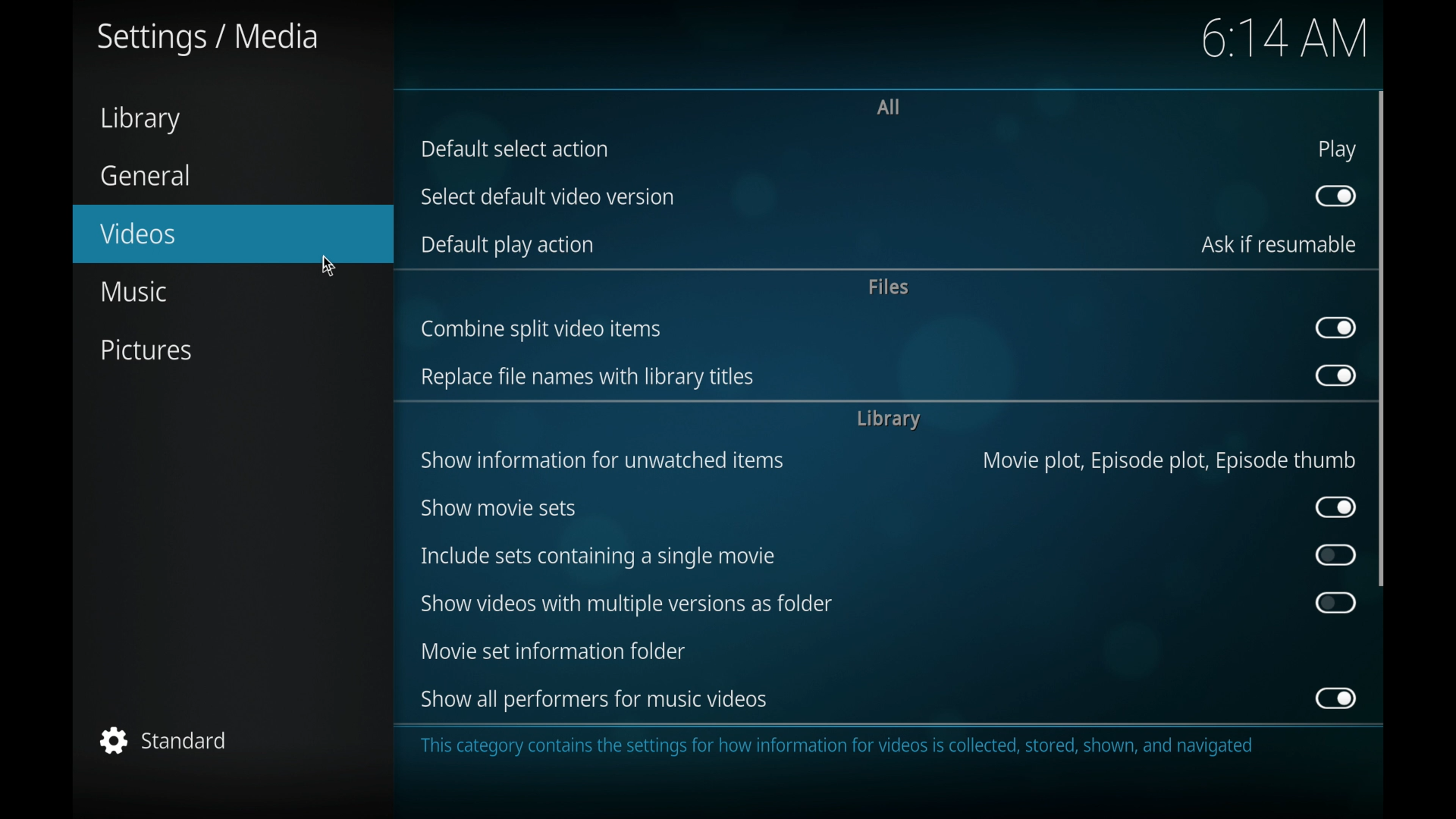 Image resolution: width=1456 pixels, height=819 pixels. I want to click on show information, so click(602, 460).